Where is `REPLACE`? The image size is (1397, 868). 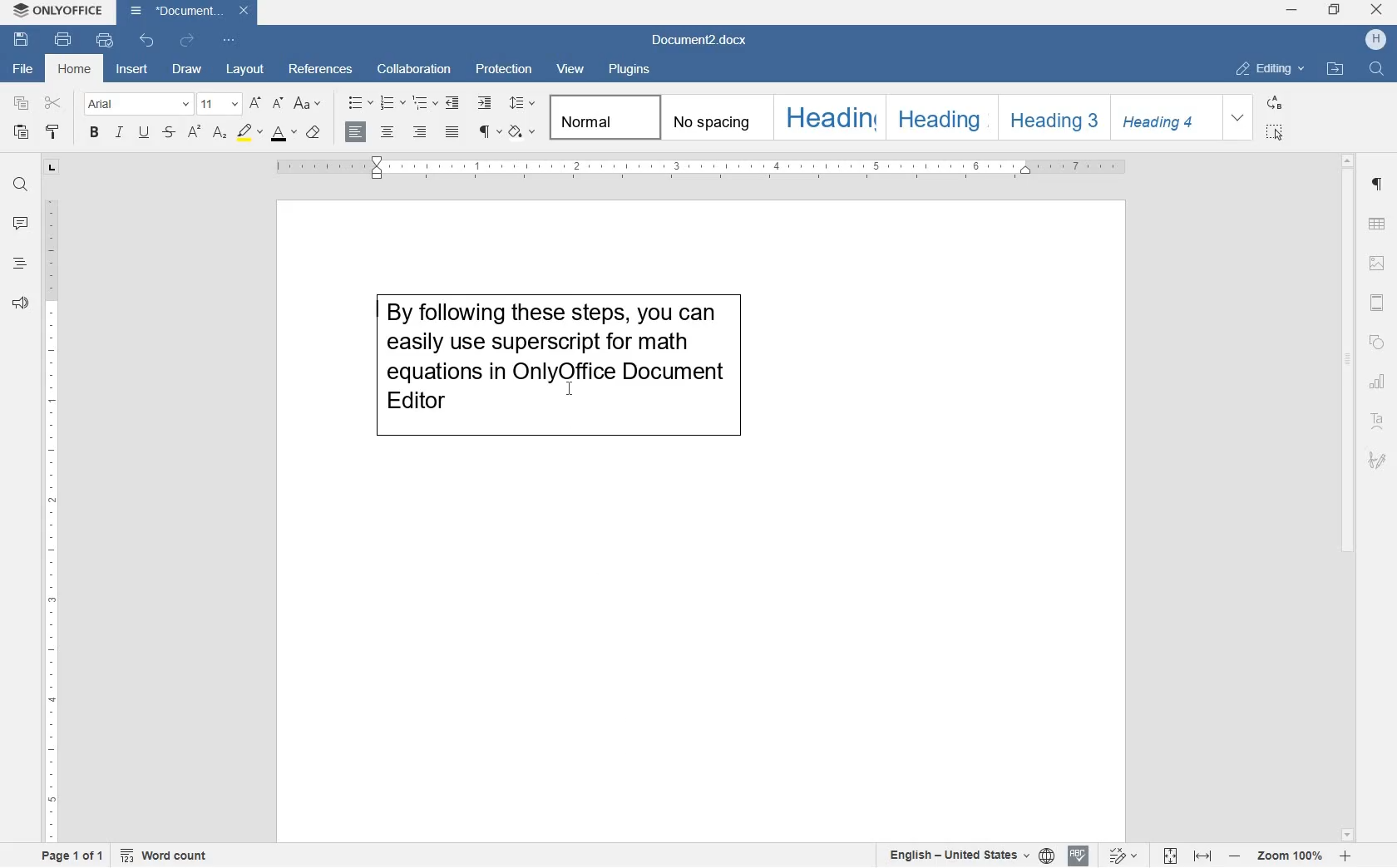
REPLACE is located at coordinates (1274, 102).